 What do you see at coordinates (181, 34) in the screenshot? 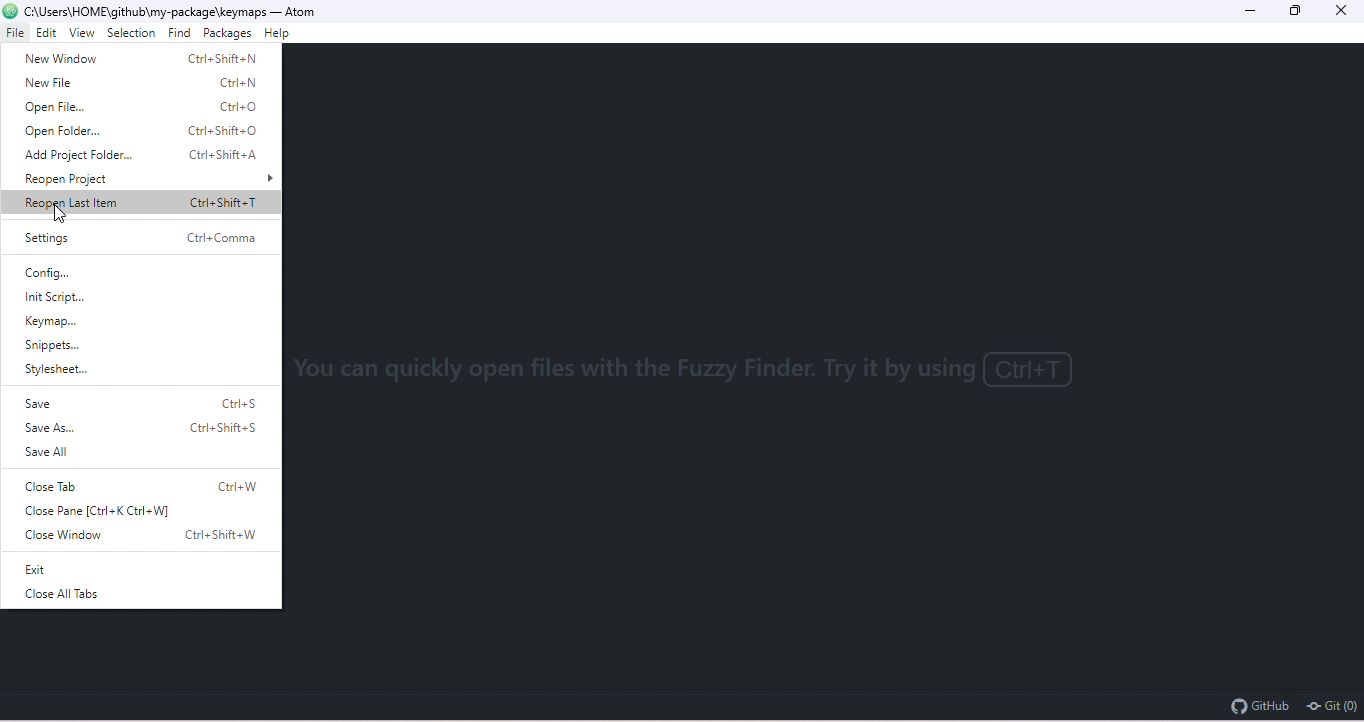
I see `find` at bounding box center [181, 34].